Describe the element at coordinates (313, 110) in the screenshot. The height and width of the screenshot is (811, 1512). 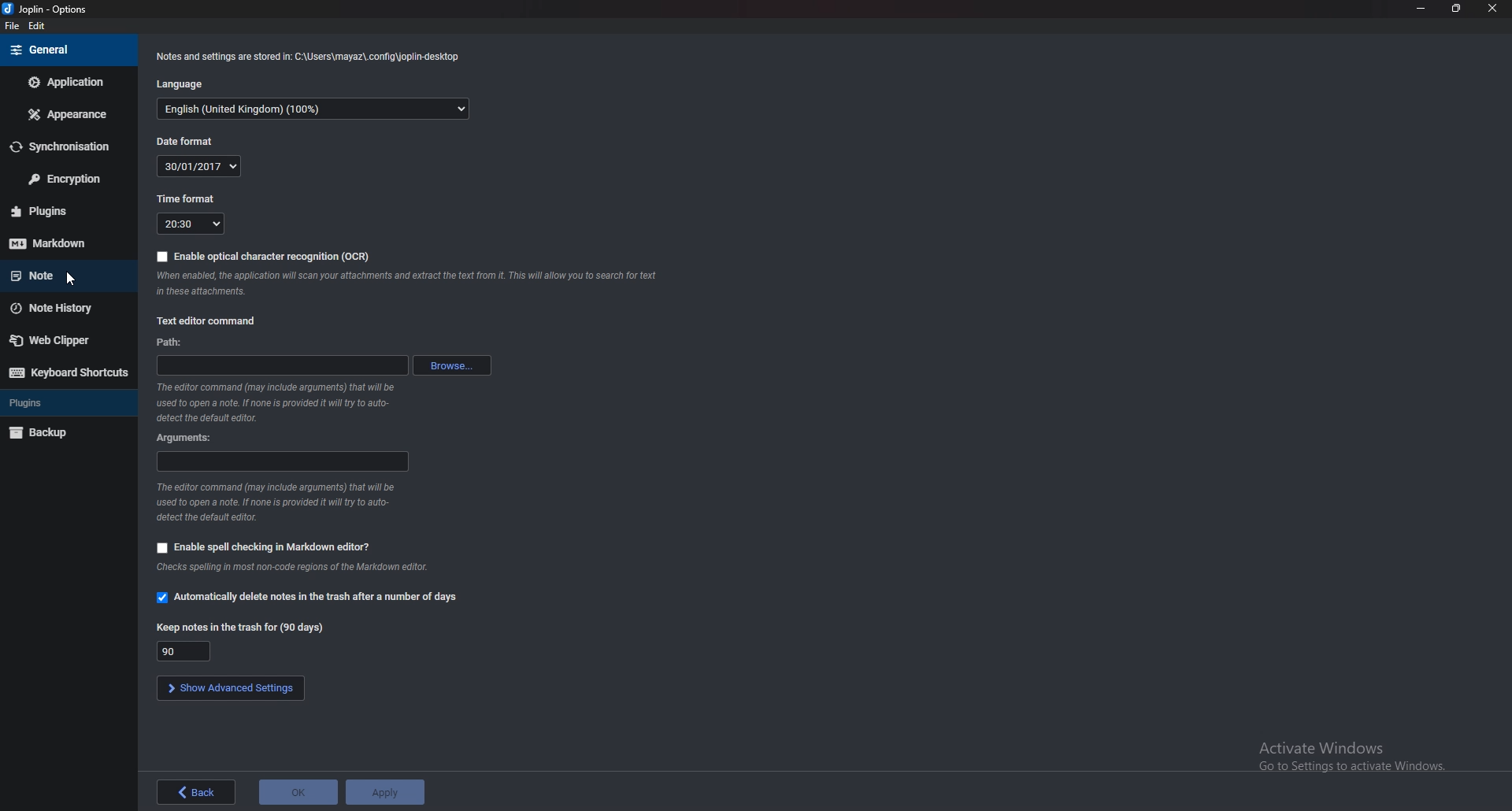
I see `language` at that location.